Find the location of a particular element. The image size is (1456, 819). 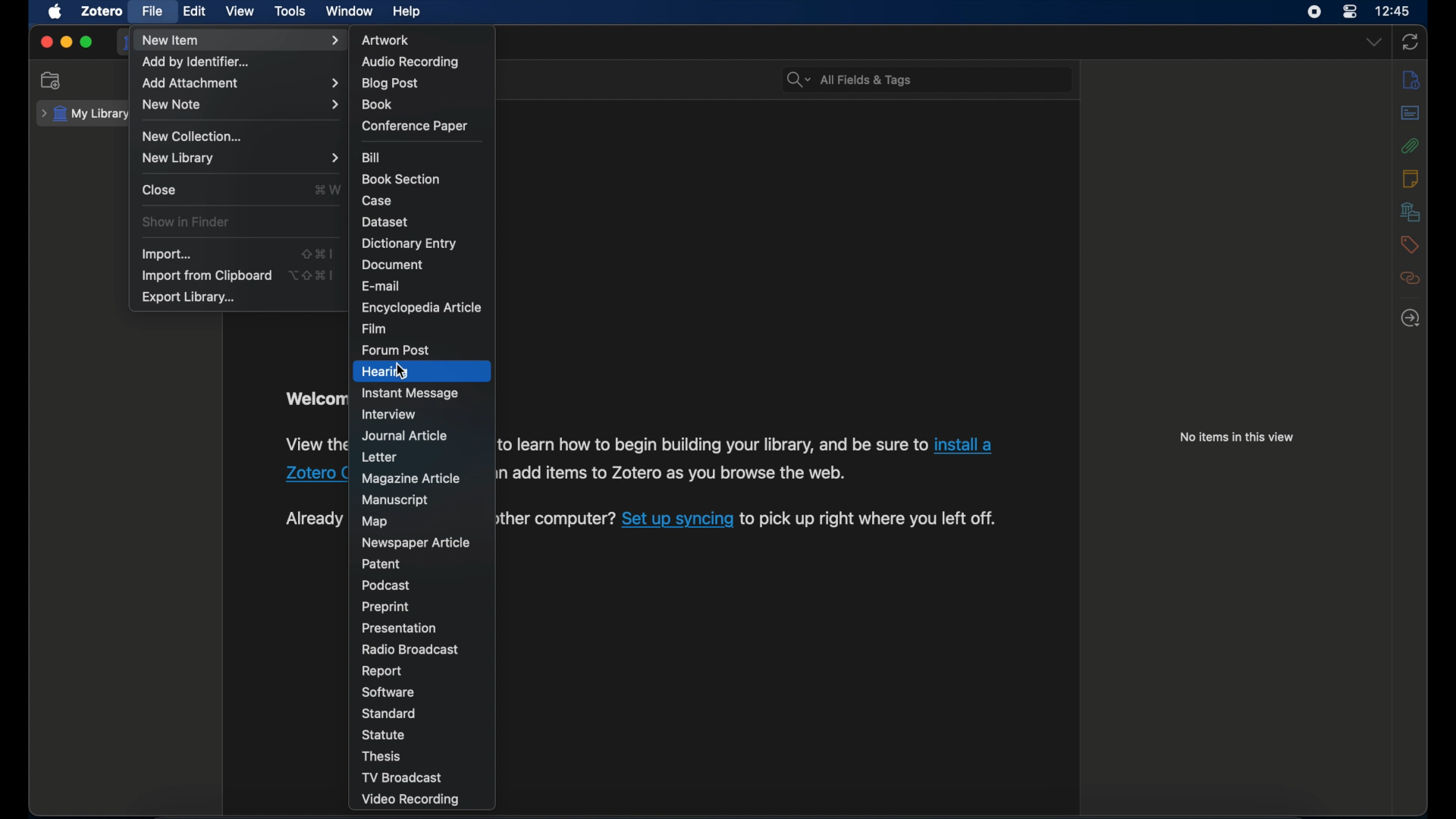

close is located at coordinates (45, 41).